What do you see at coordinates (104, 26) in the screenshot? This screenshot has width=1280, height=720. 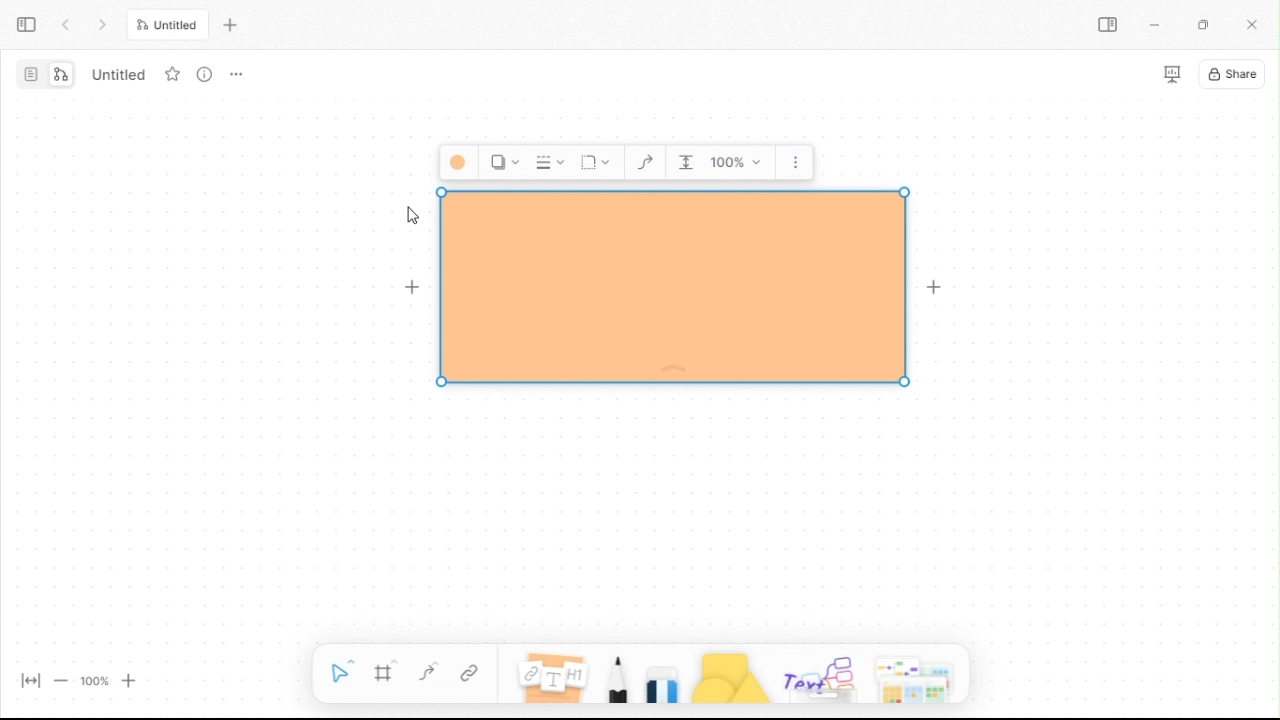 I see `next tab` at bounding box center [104, 26].